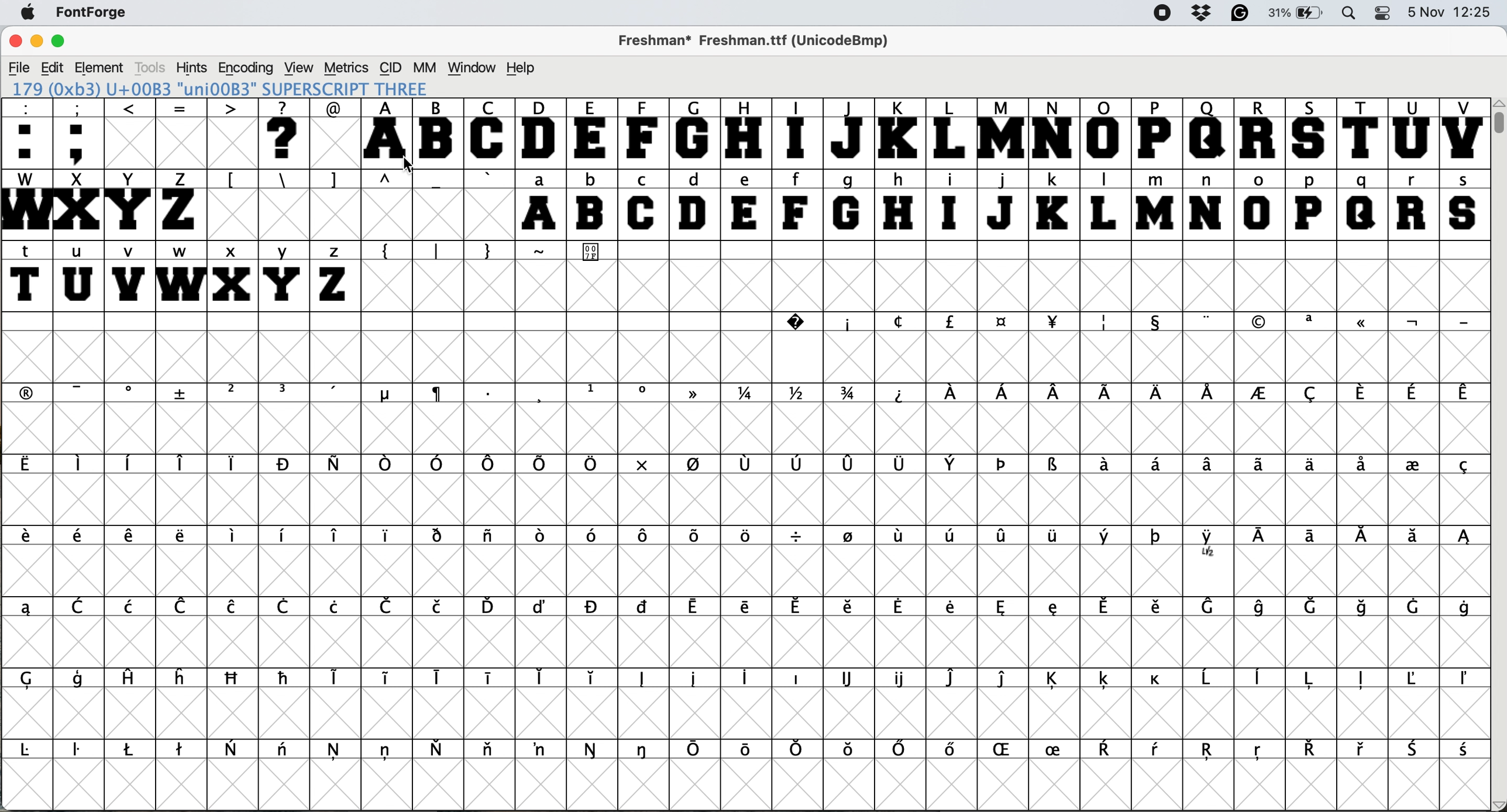 The height and width of the screenshot is (812, 1507). Describe the element at coordinates (1212, 608) in the screenshot. I see `symbol` at that location.